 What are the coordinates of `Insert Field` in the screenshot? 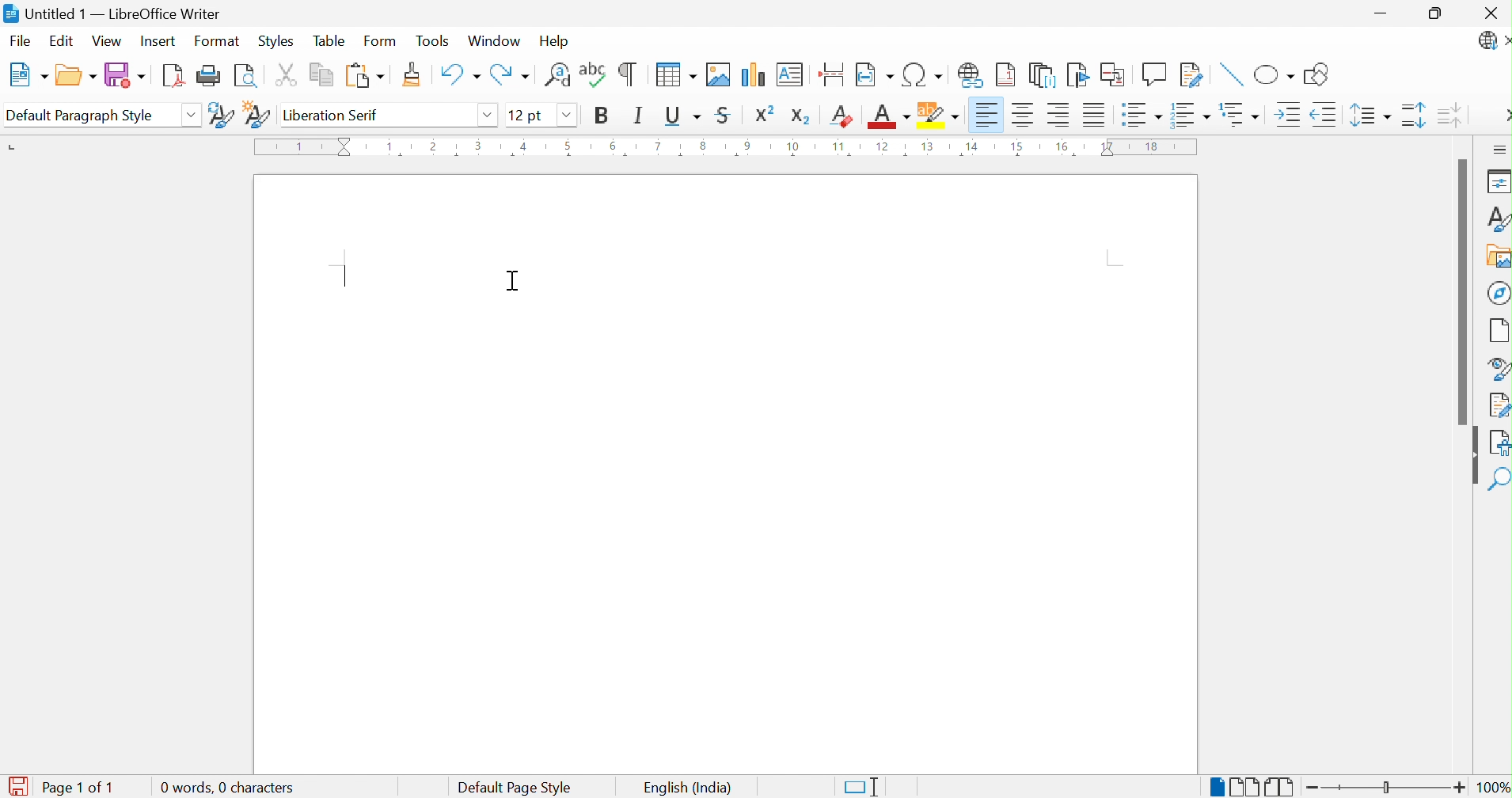 It's located at (873, 74).